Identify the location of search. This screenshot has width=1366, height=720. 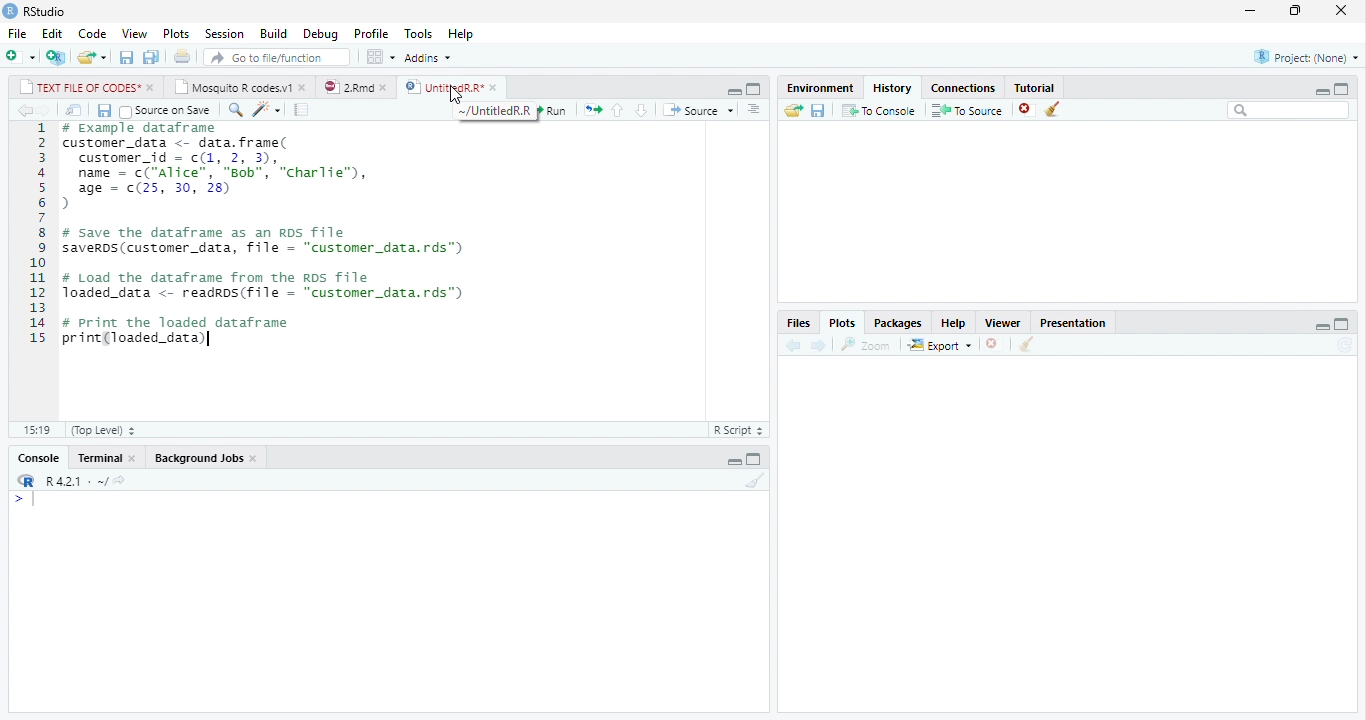
(1289, 110).